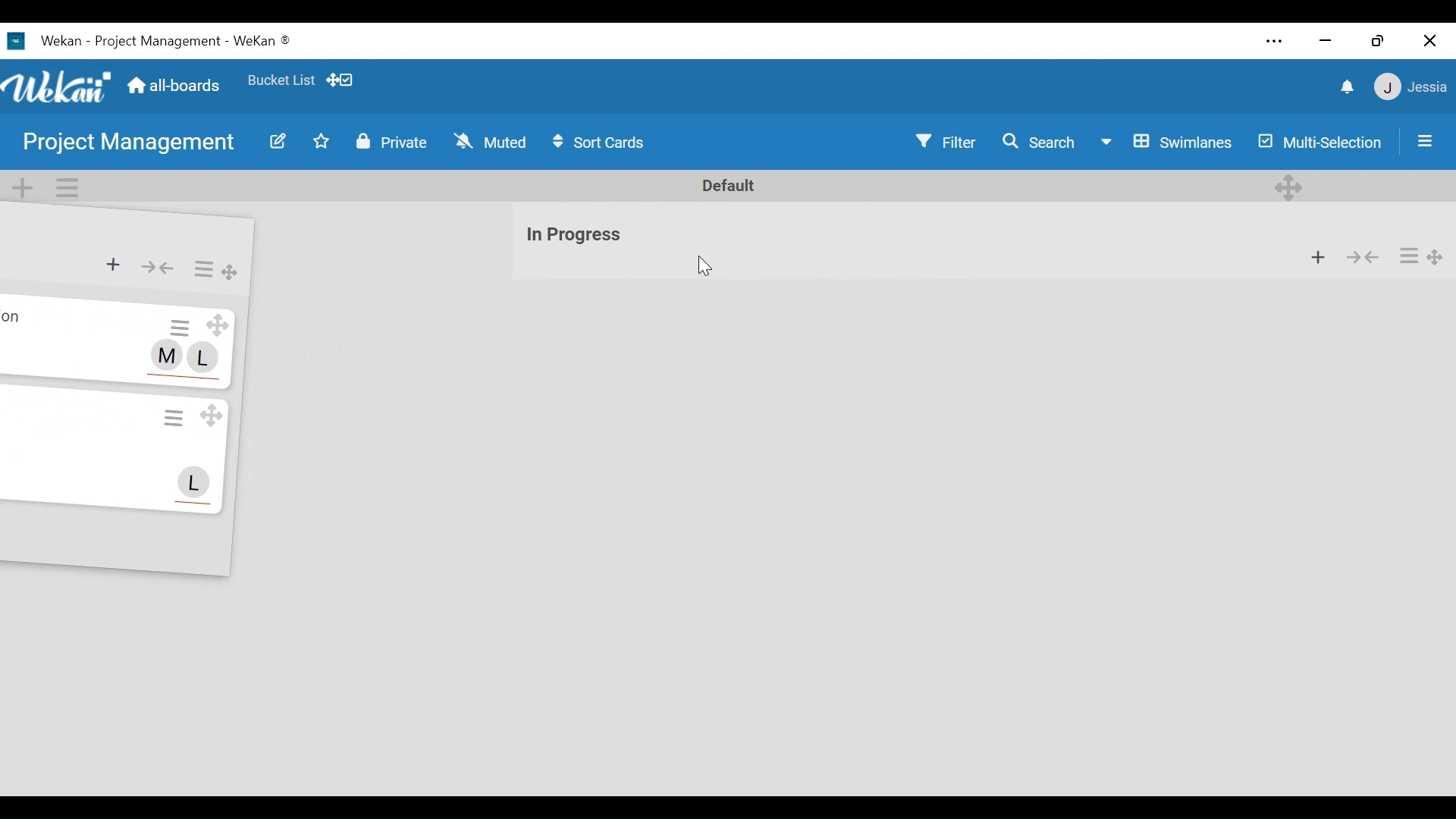  Describe the element at coordinates (1318, 257) in the screenshot. I see `Add card to the top of list` at that location.